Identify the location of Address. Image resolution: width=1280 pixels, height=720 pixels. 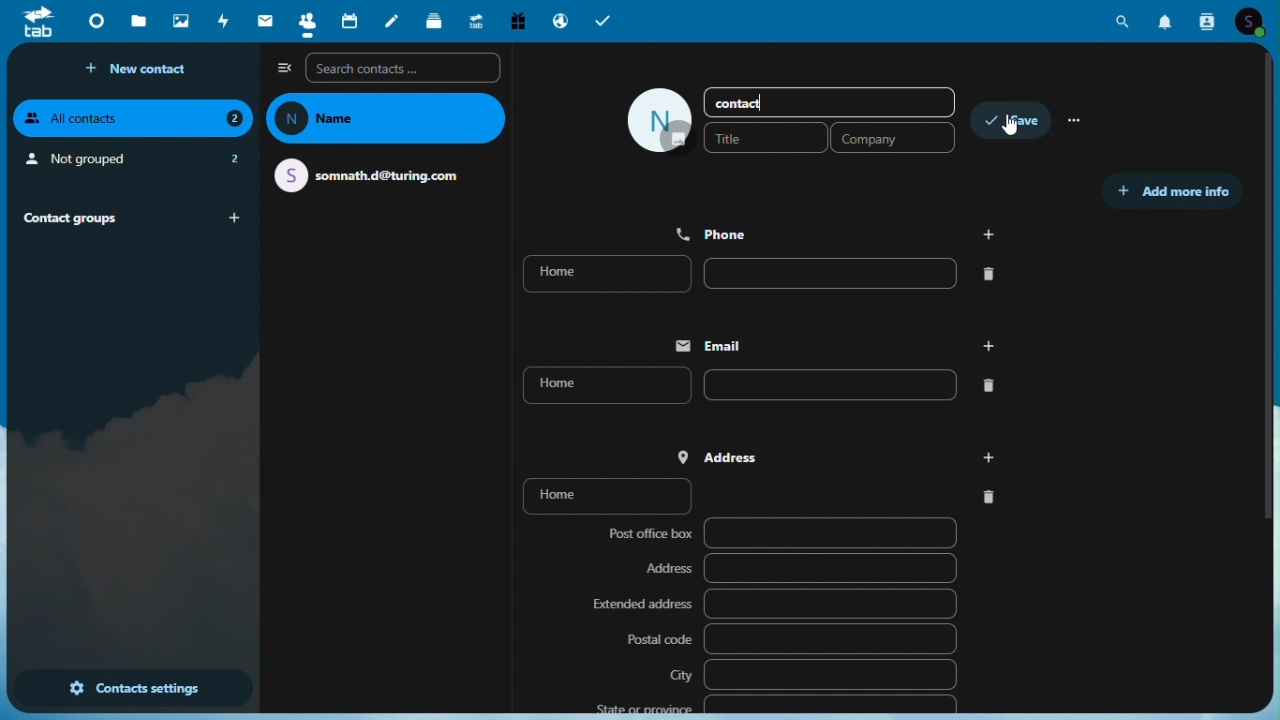
(840, 454).